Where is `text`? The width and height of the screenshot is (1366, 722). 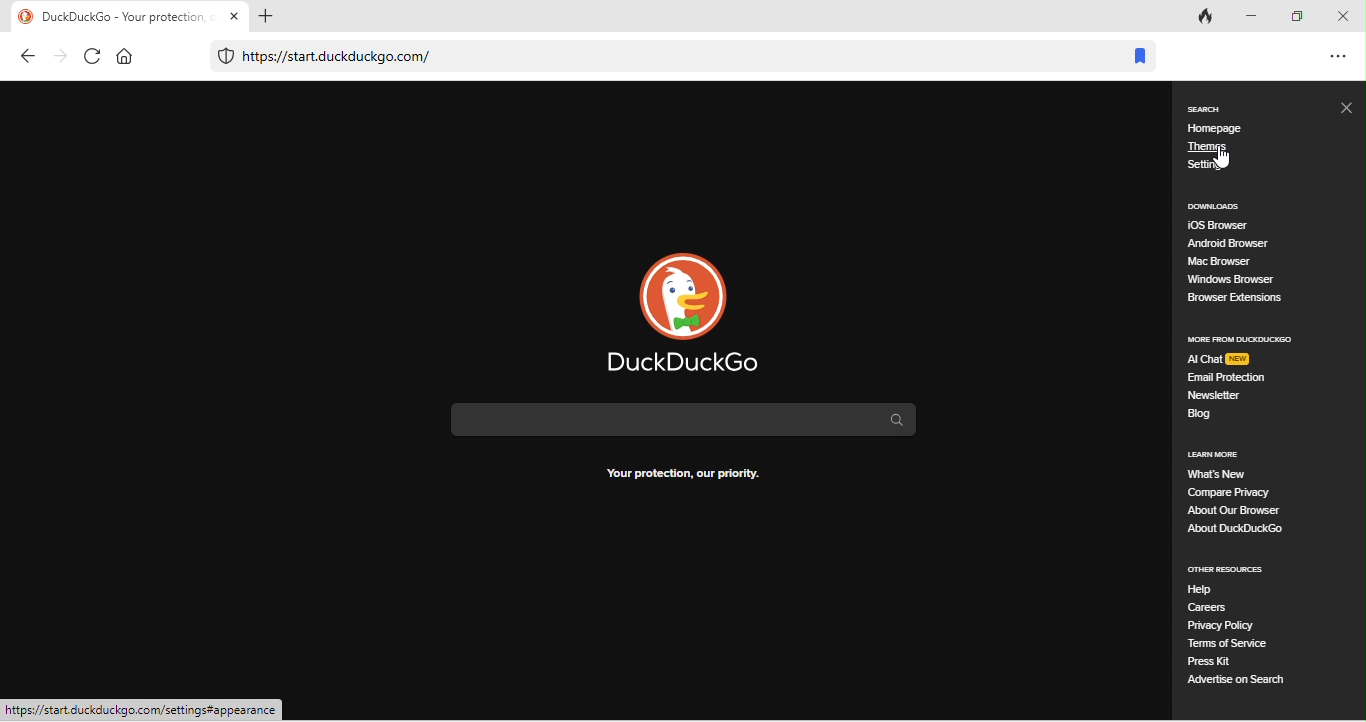 text is located at coordinates (684, 475).